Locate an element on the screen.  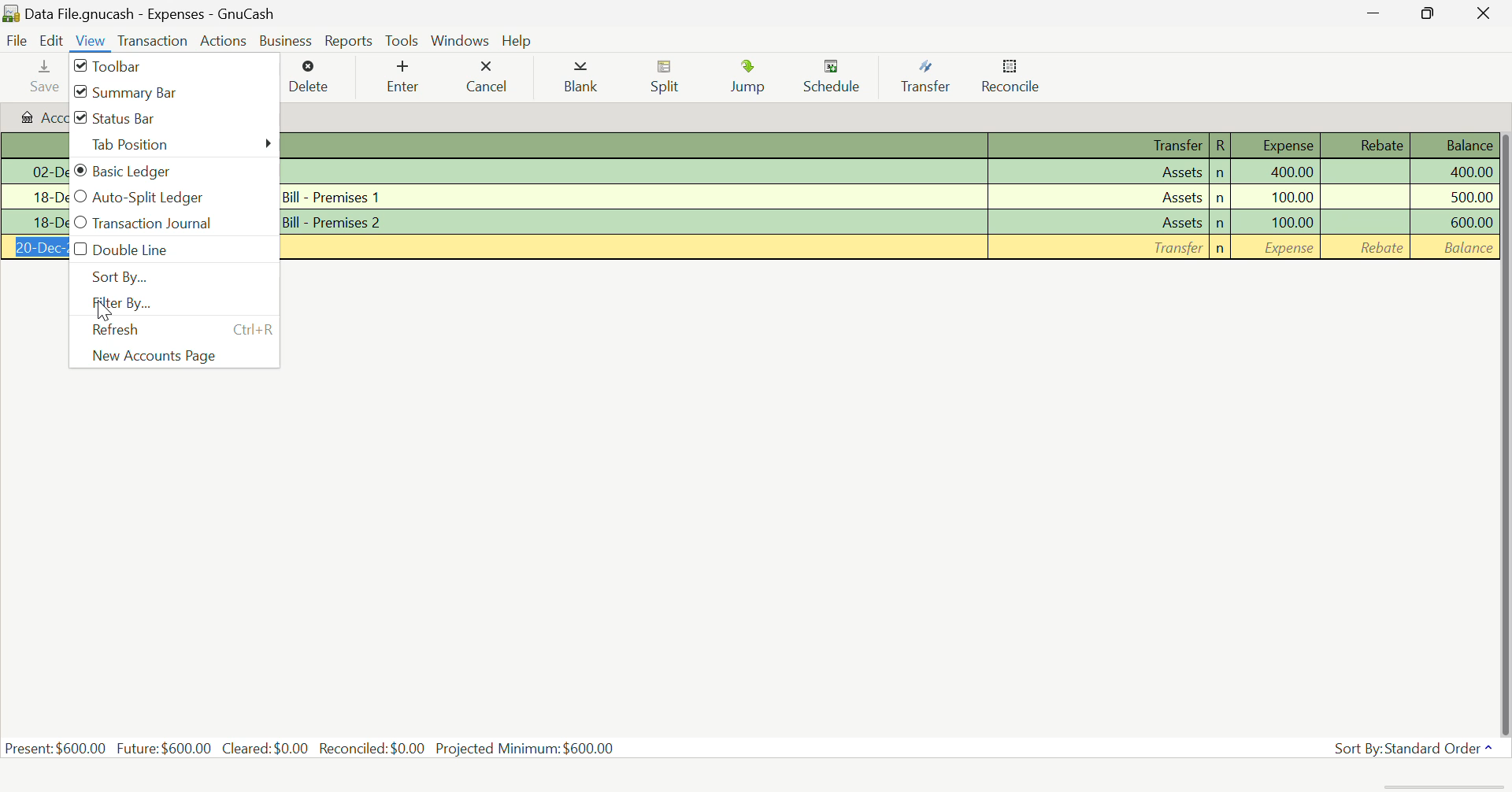
Assets is located at coordinates (1098, 171).